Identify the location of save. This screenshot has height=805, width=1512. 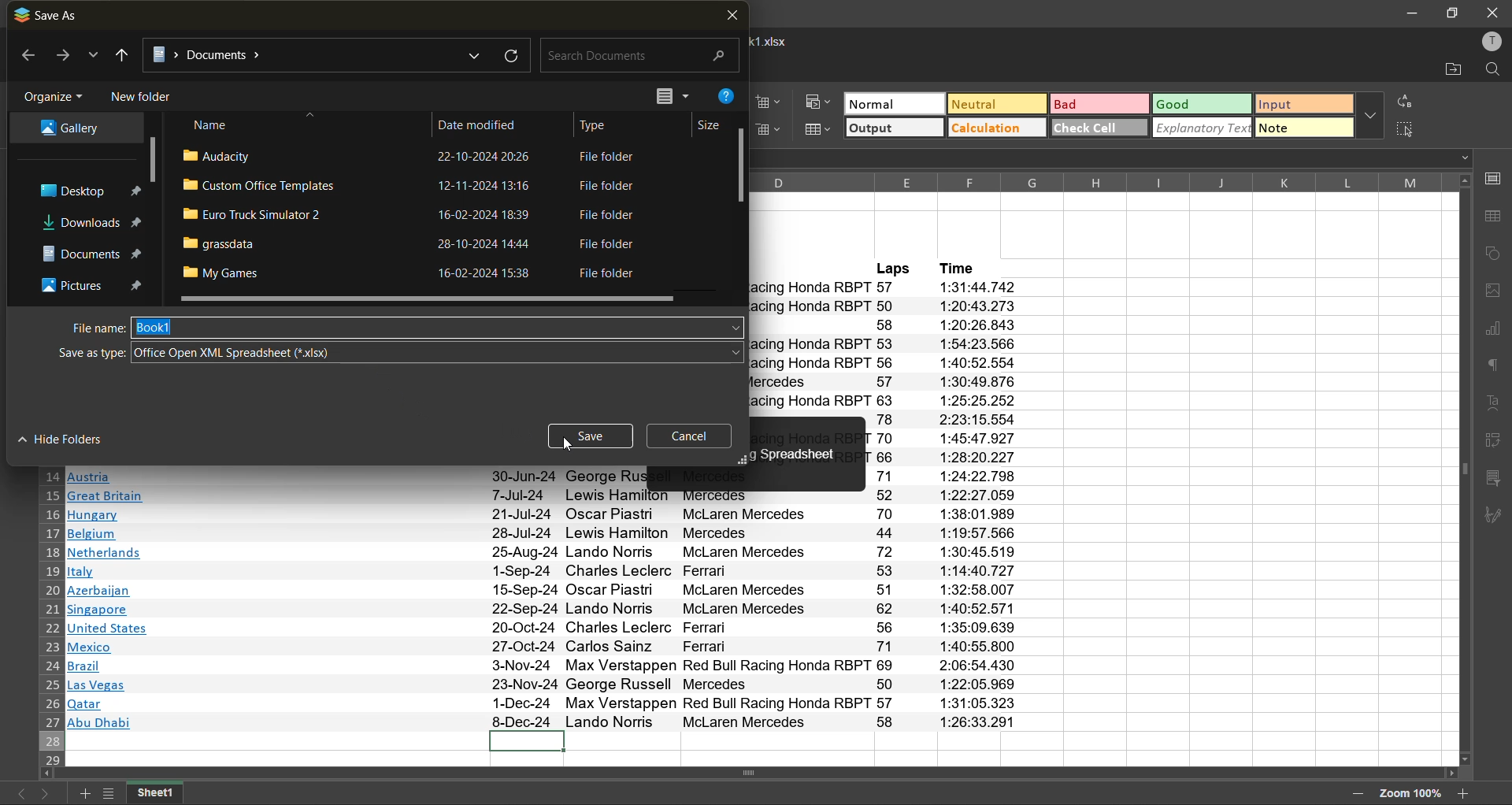
(594, 436).